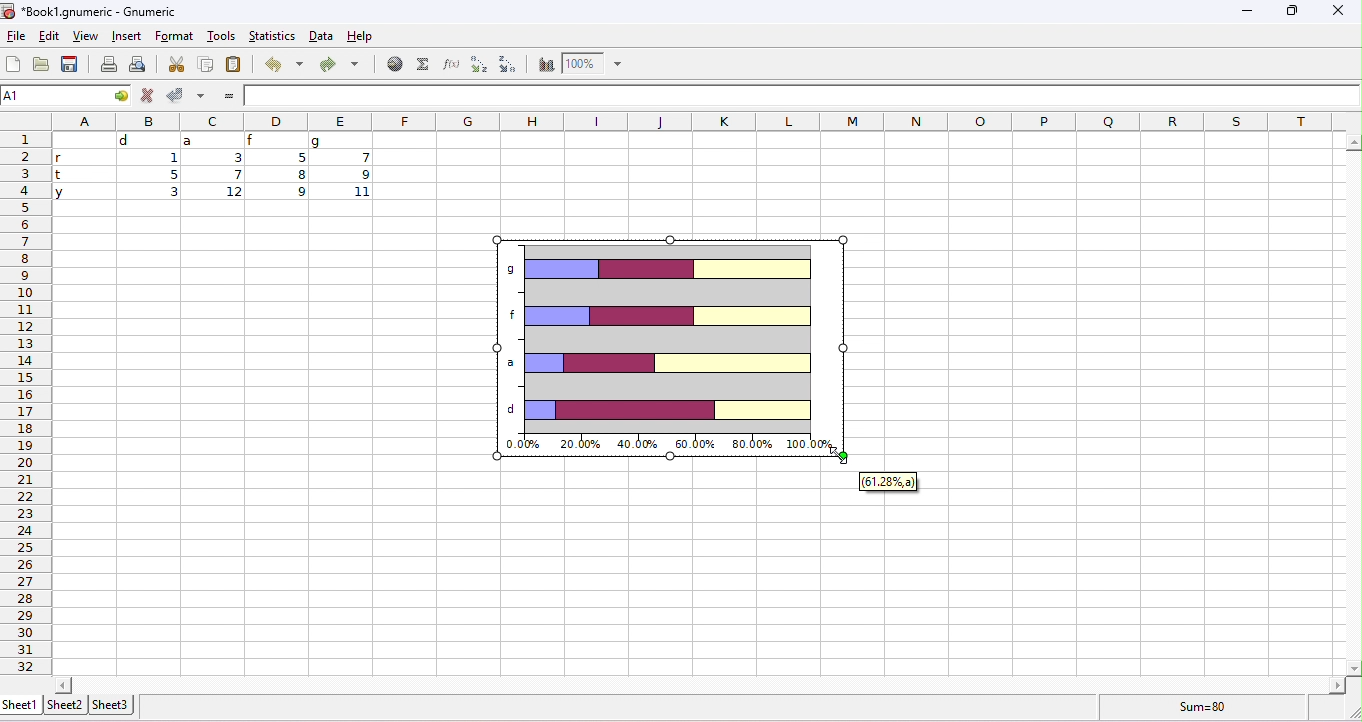 The height and width of the screenshot is (722, 1362). I want to click on copy, so click(203, 64).